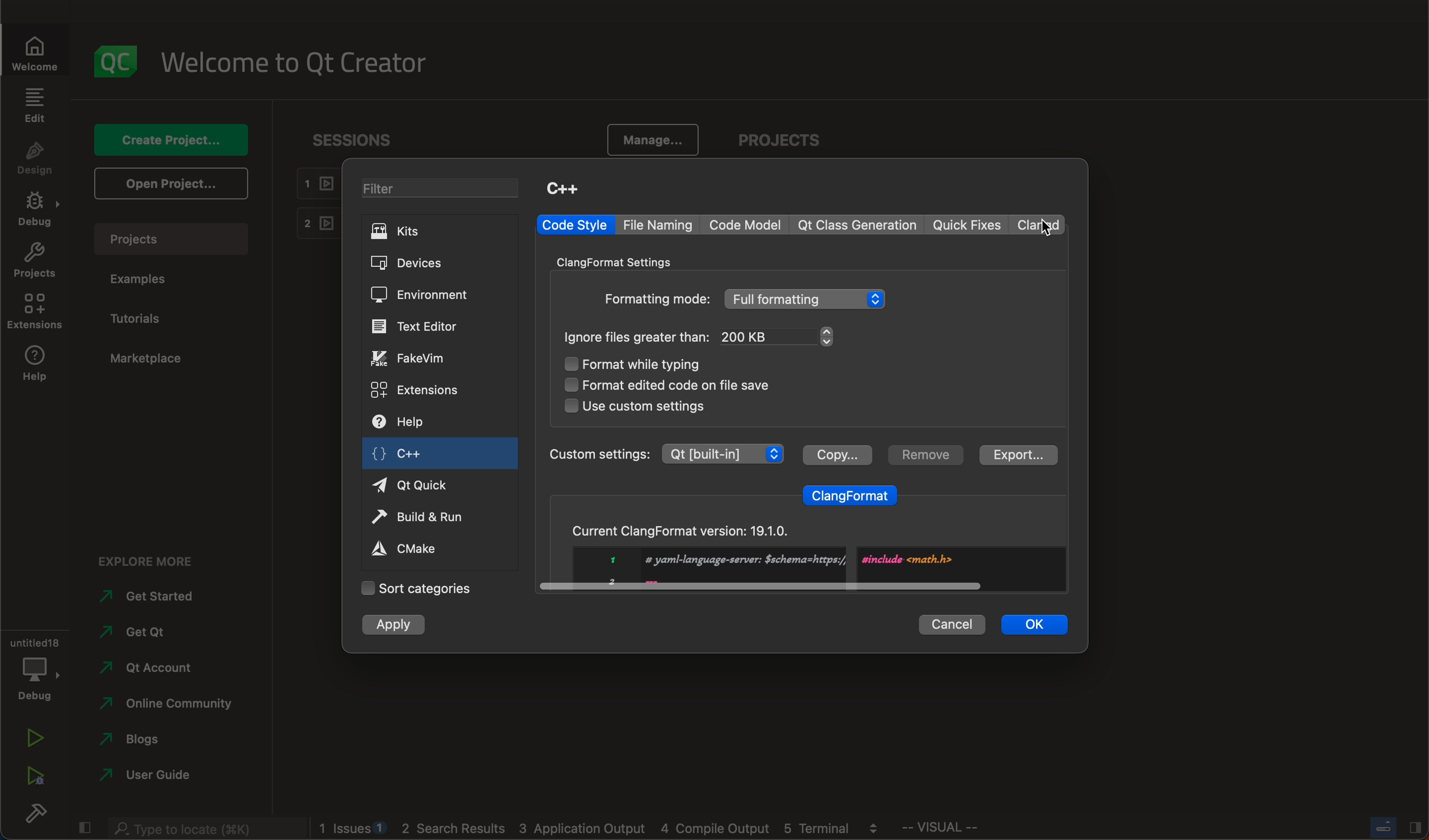  What do you see at coordinates (568, 191) in the screenshot?
I see `C++` at bounding box center [568, 191].